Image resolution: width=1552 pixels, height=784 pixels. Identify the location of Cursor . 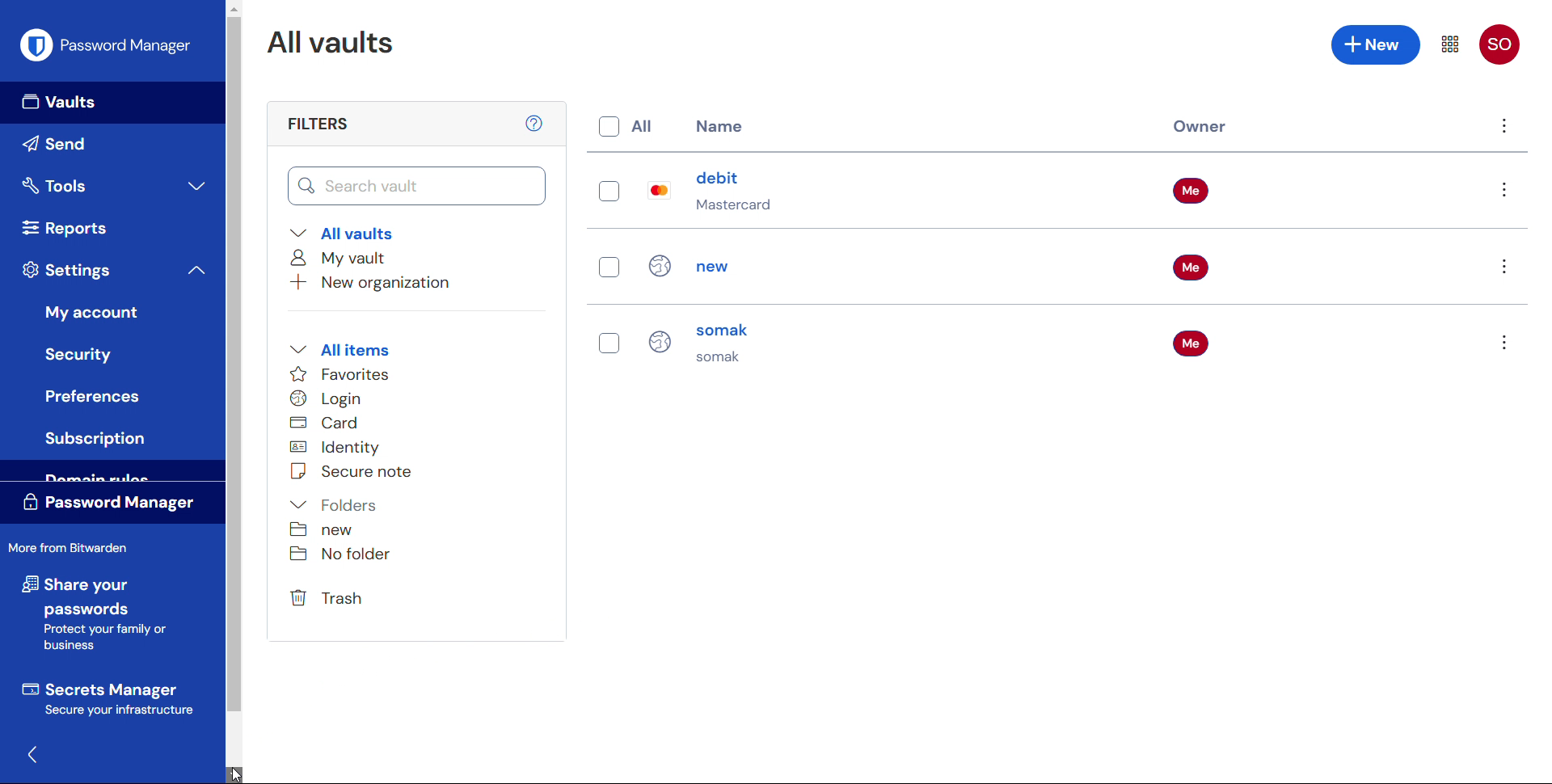
(240, 774).